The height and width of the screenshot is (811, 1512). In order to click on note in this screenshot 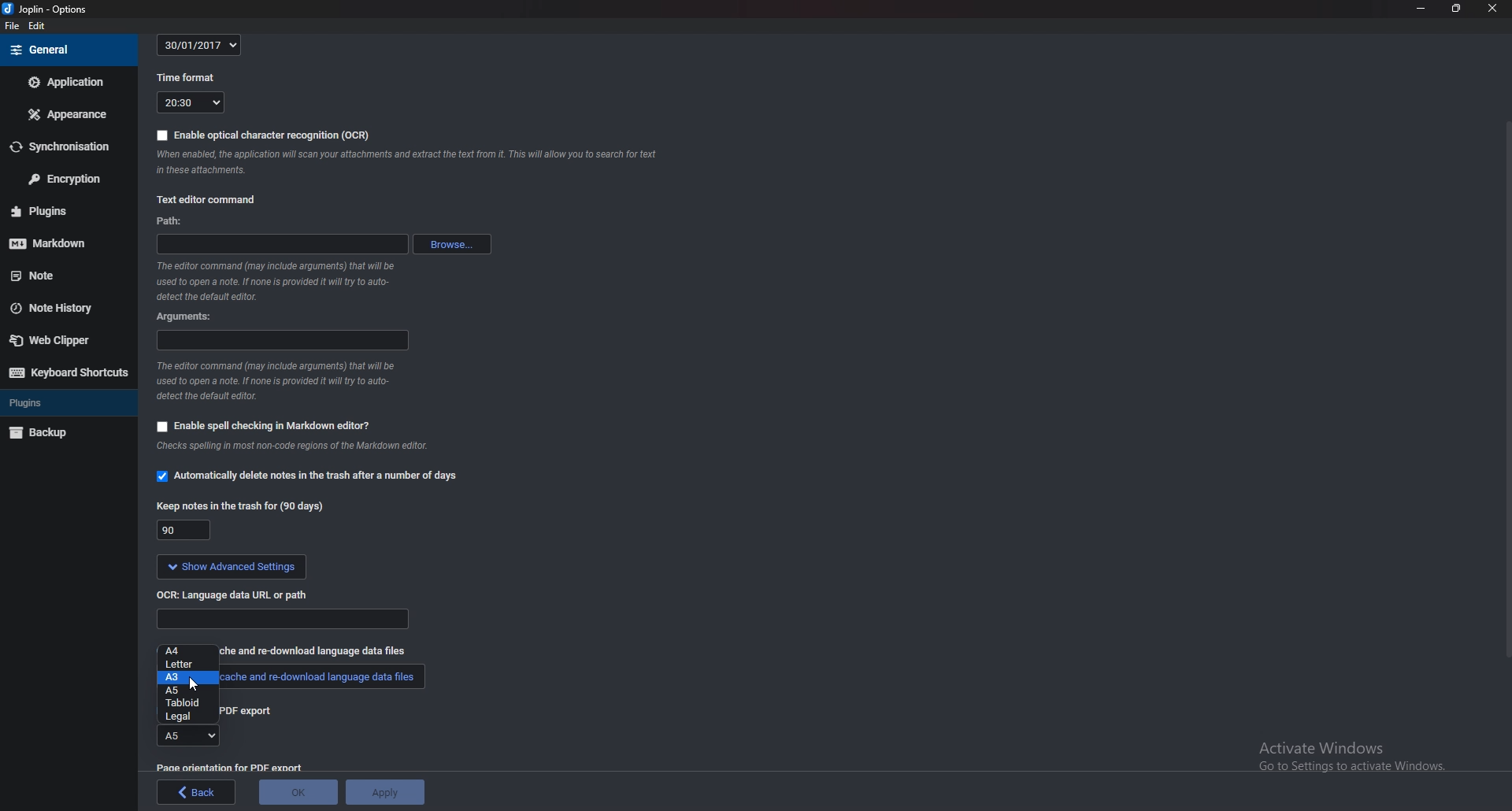, I will do `click(54, 276)`.